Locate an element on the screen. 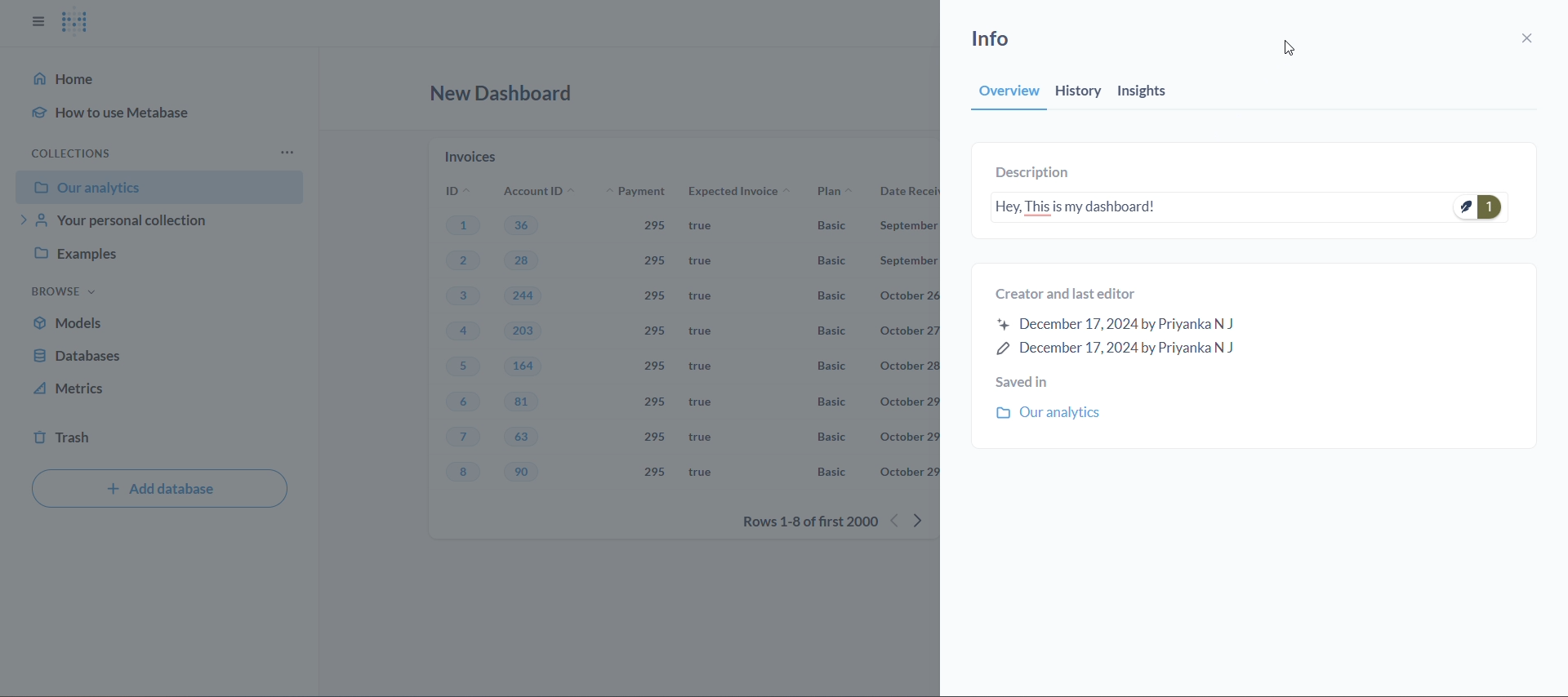  previous rows is located at coordinates (896, 520).